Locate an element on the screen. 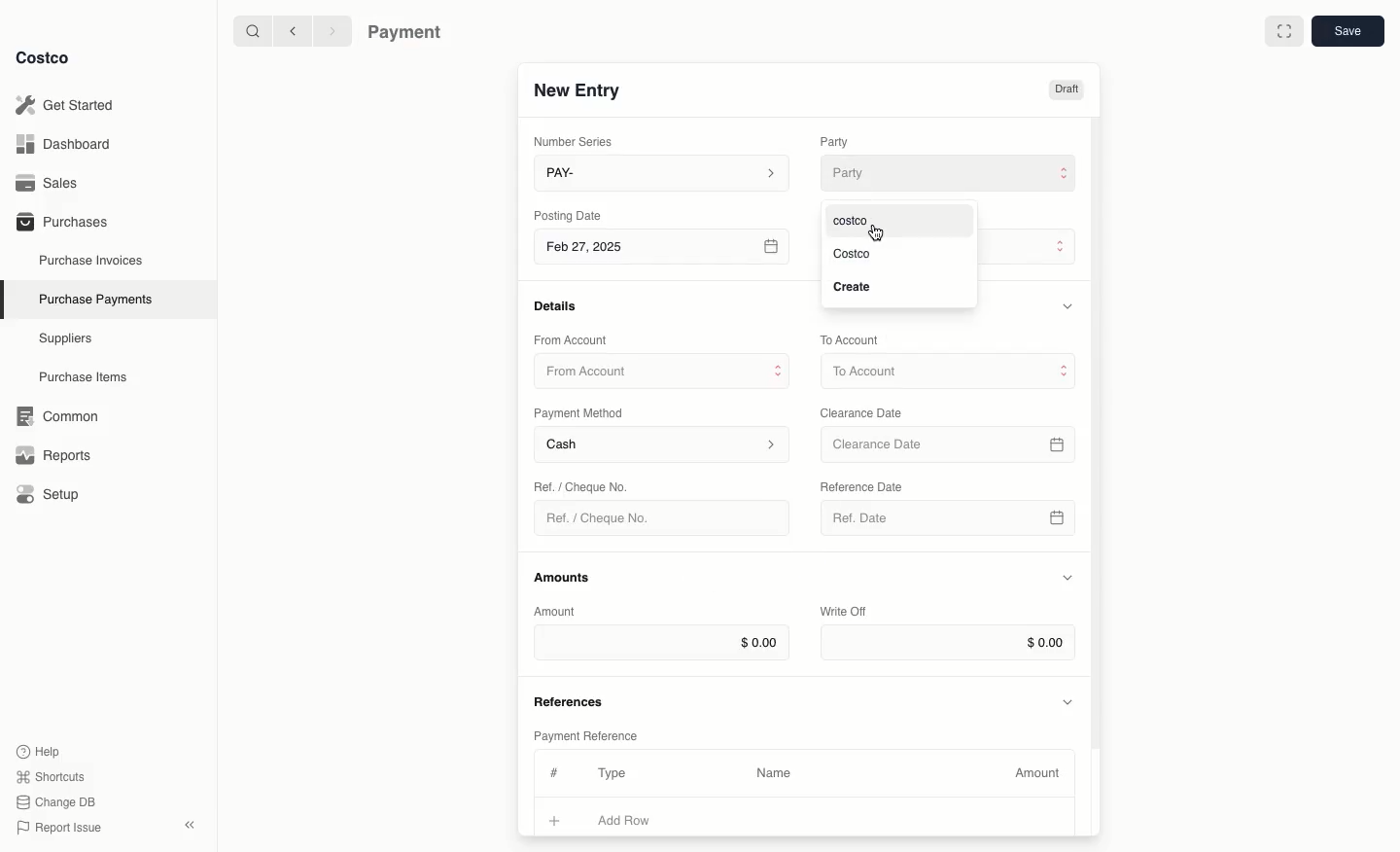 The image size is (1400, 852). To Account is located at coordinates (852, 339).